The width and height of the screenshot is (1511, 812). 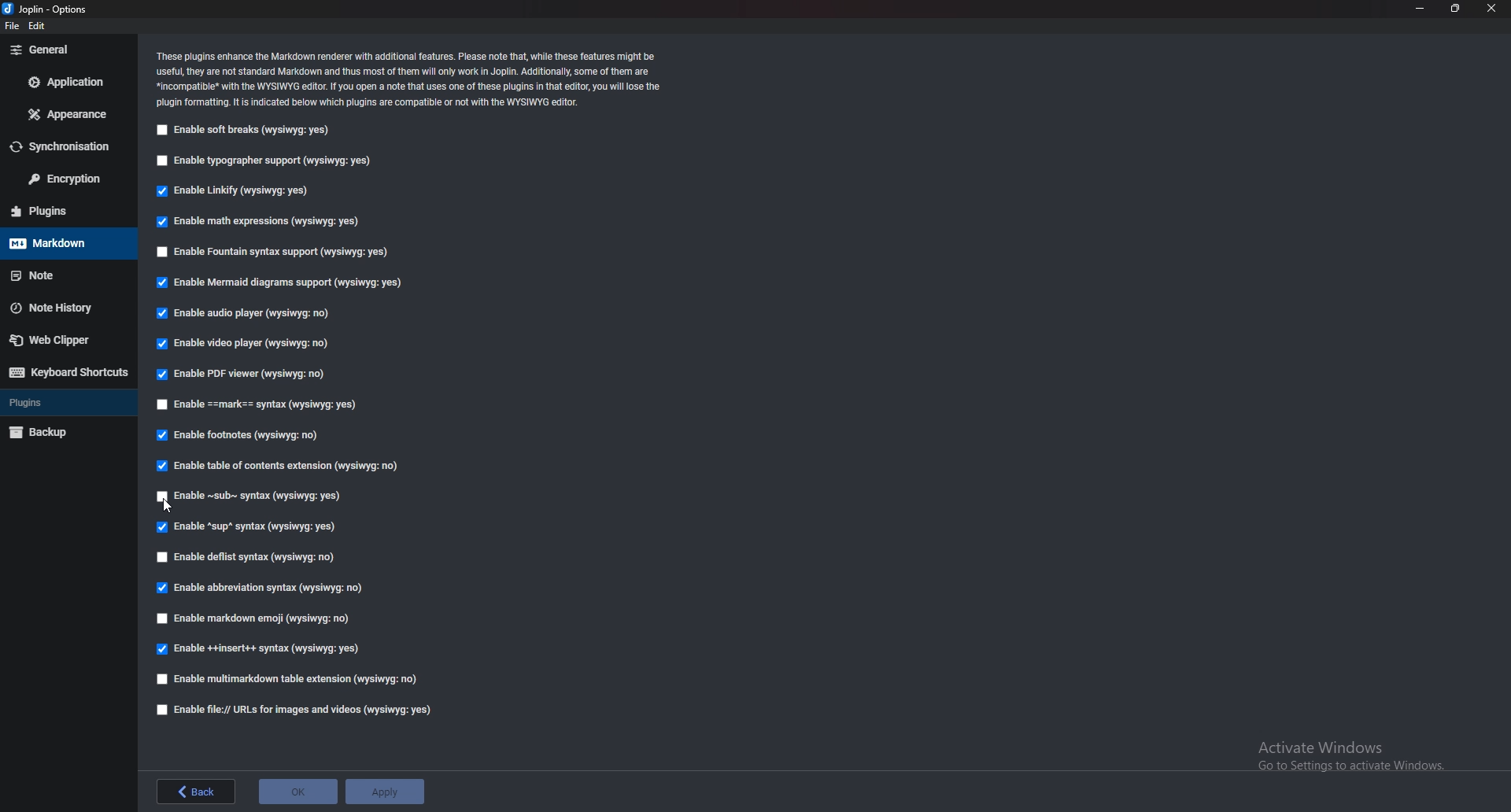 What do you see at coordinates (63, 402) in the screenshot?
I see `Plugins` at bounding box center [63, 402].